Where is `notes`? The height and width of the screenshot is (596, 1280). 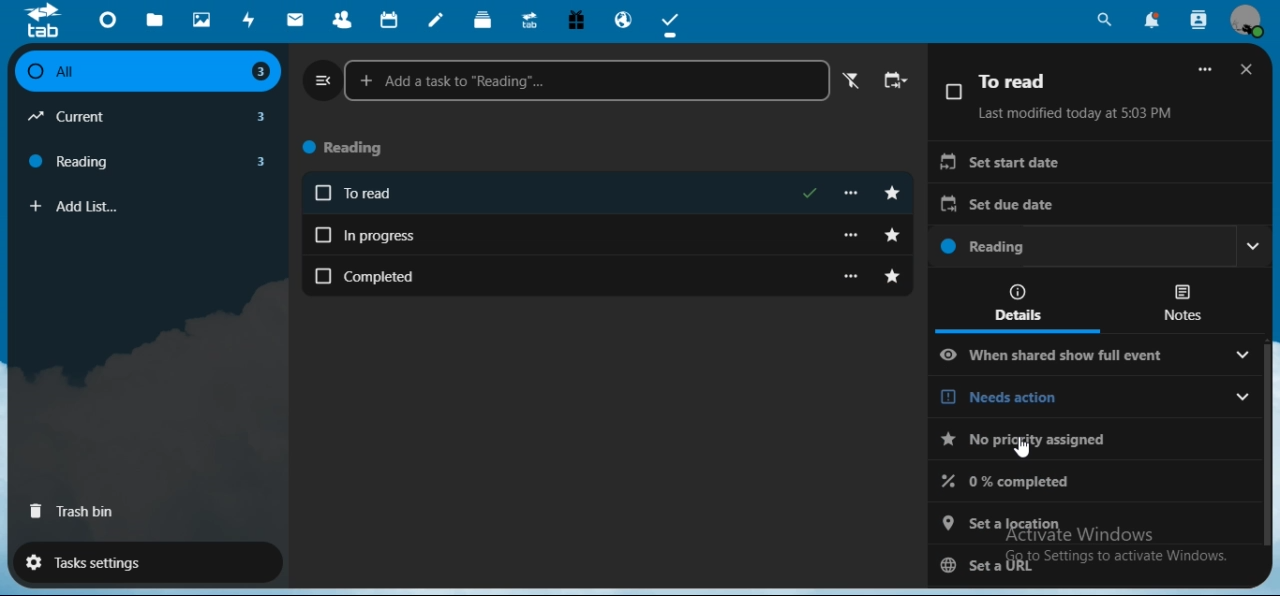
notes is located at coordinates (1180, 302).